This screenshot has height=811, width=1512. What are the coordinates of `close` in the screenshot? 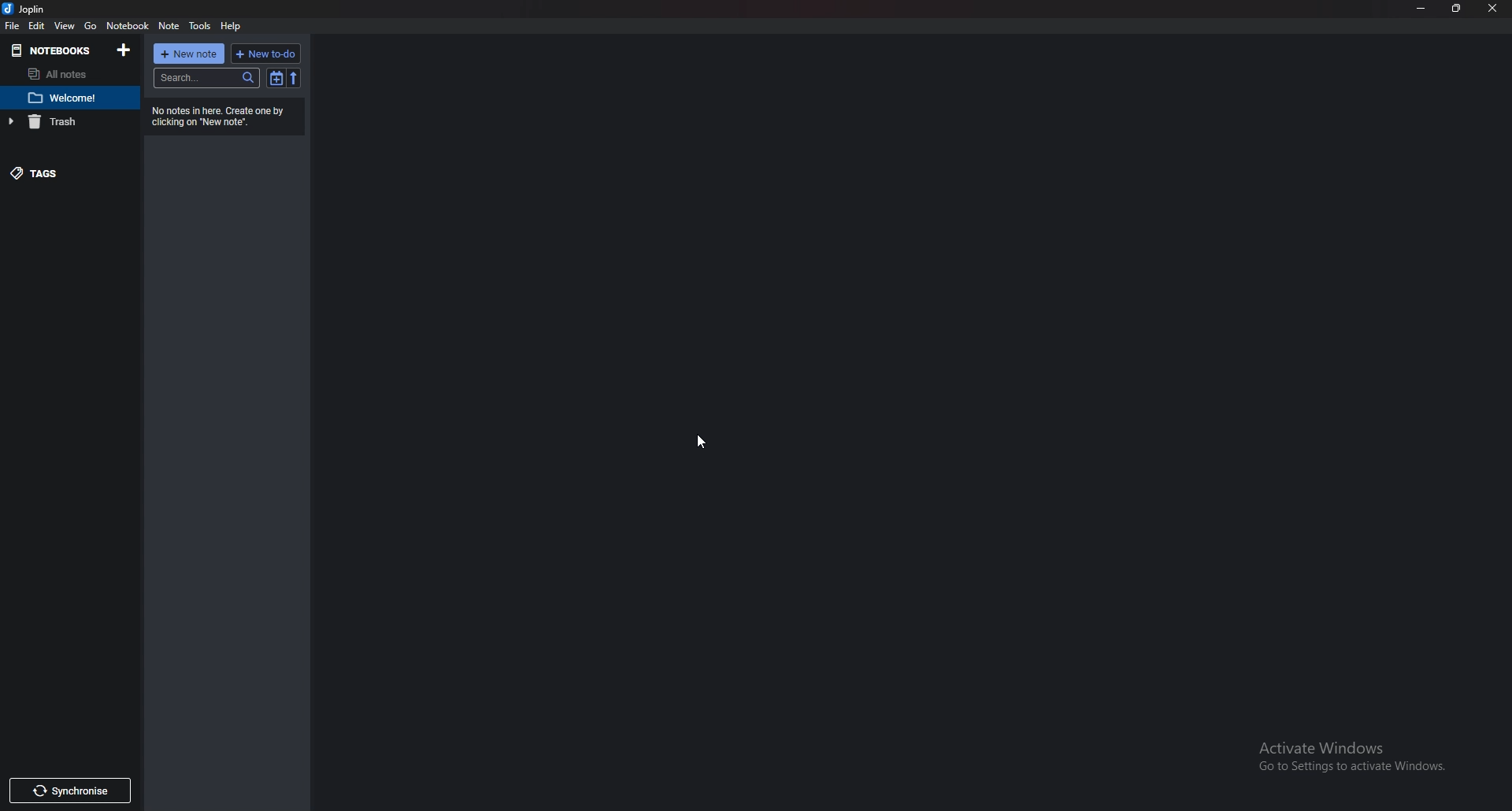 It's located at (1490, 9).